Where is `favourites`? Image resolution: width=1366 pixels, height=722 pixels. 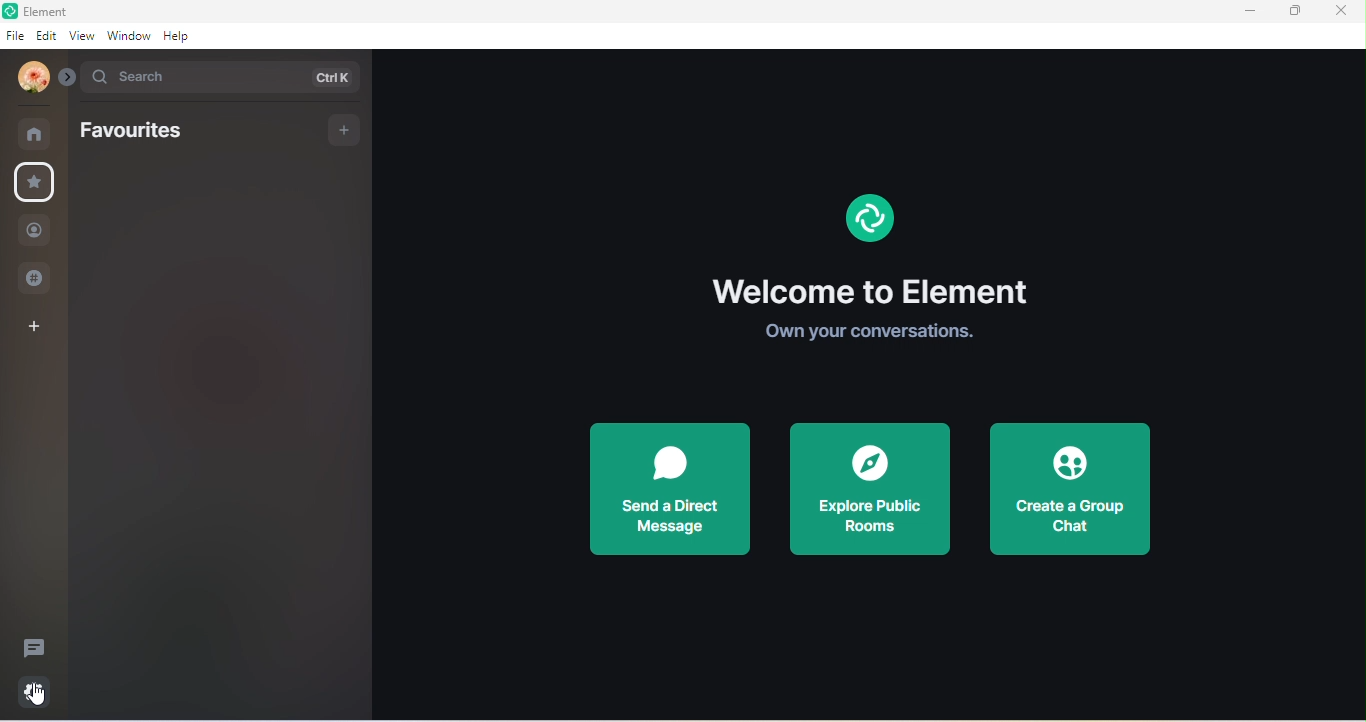 favourites is located at coordinates (40, 184).